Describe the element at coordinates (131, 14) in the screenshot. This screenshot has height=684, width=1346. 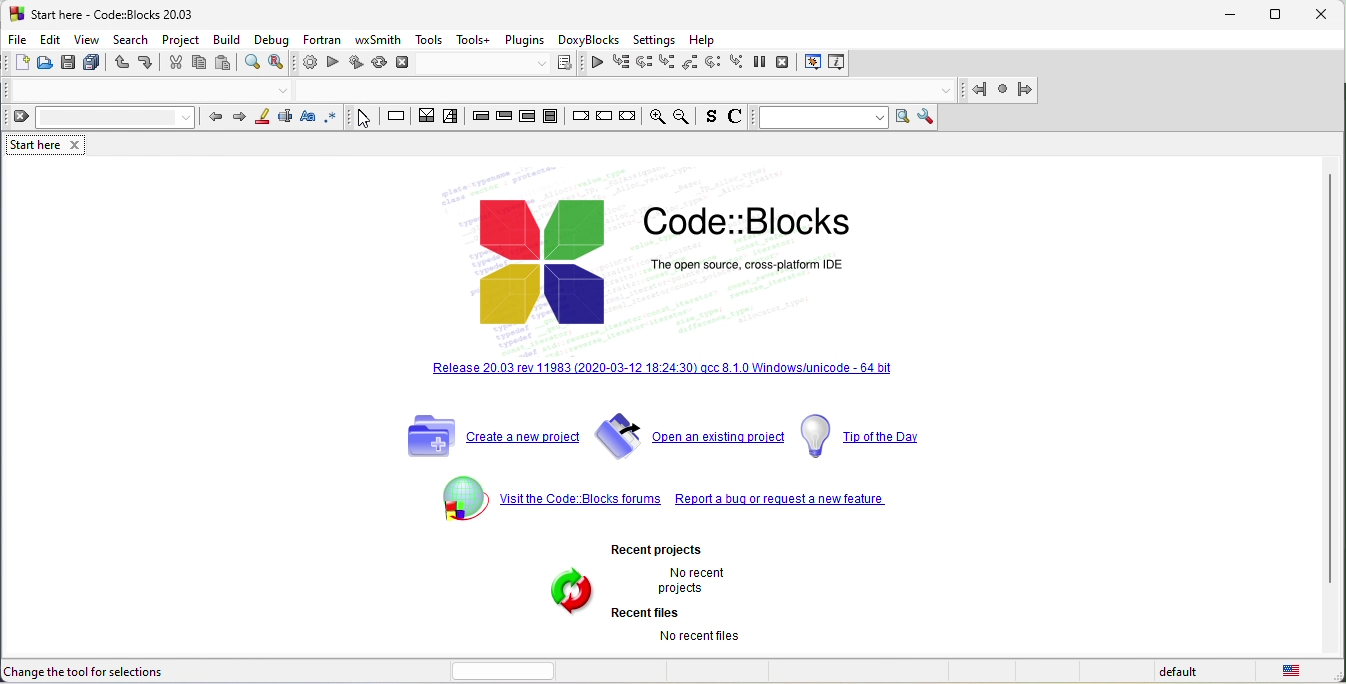
I see `start here-code blocks-20 03` at that location.